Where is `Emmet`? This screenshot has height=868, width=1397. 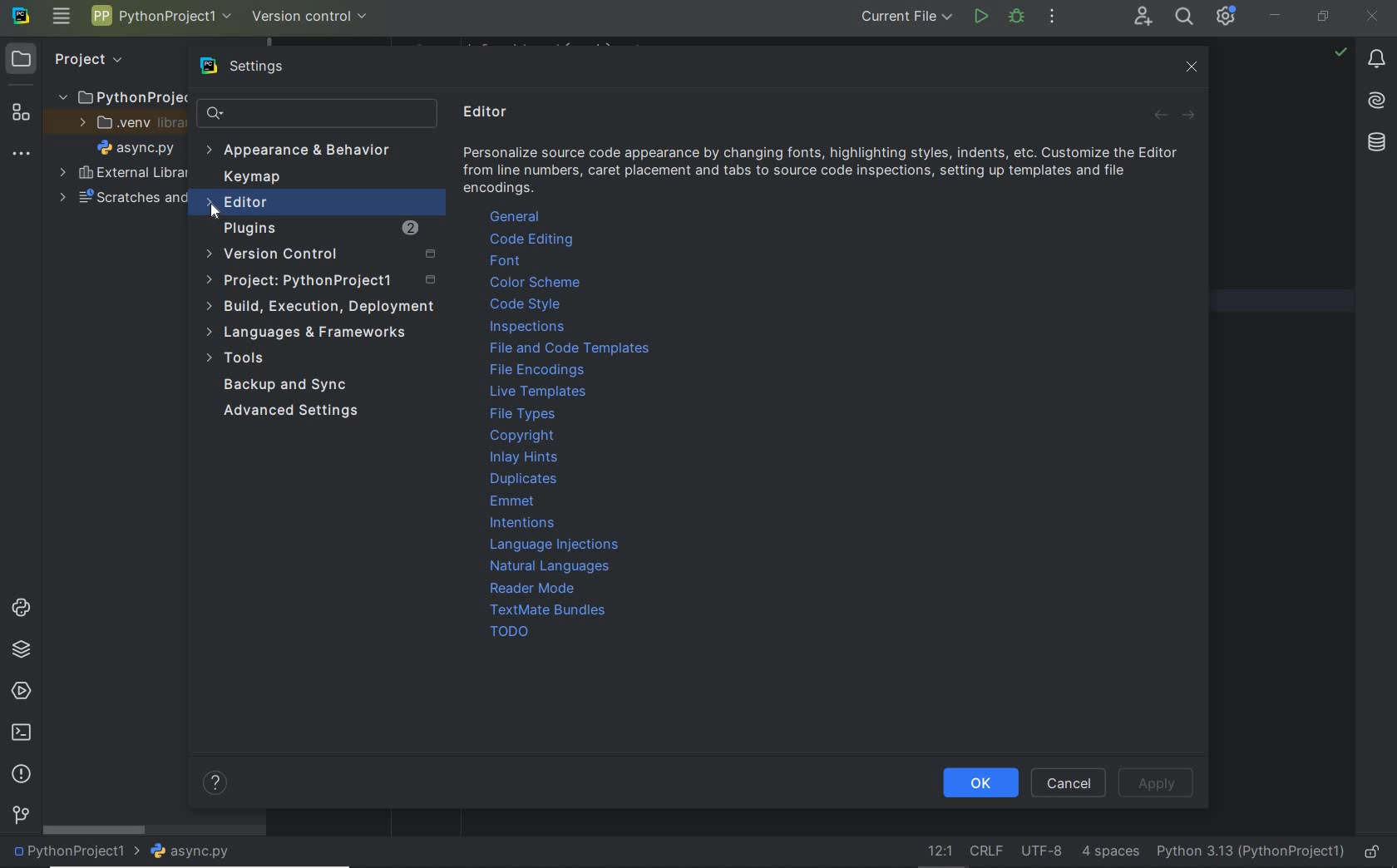 Emmet is located at coordinates (515, 503).